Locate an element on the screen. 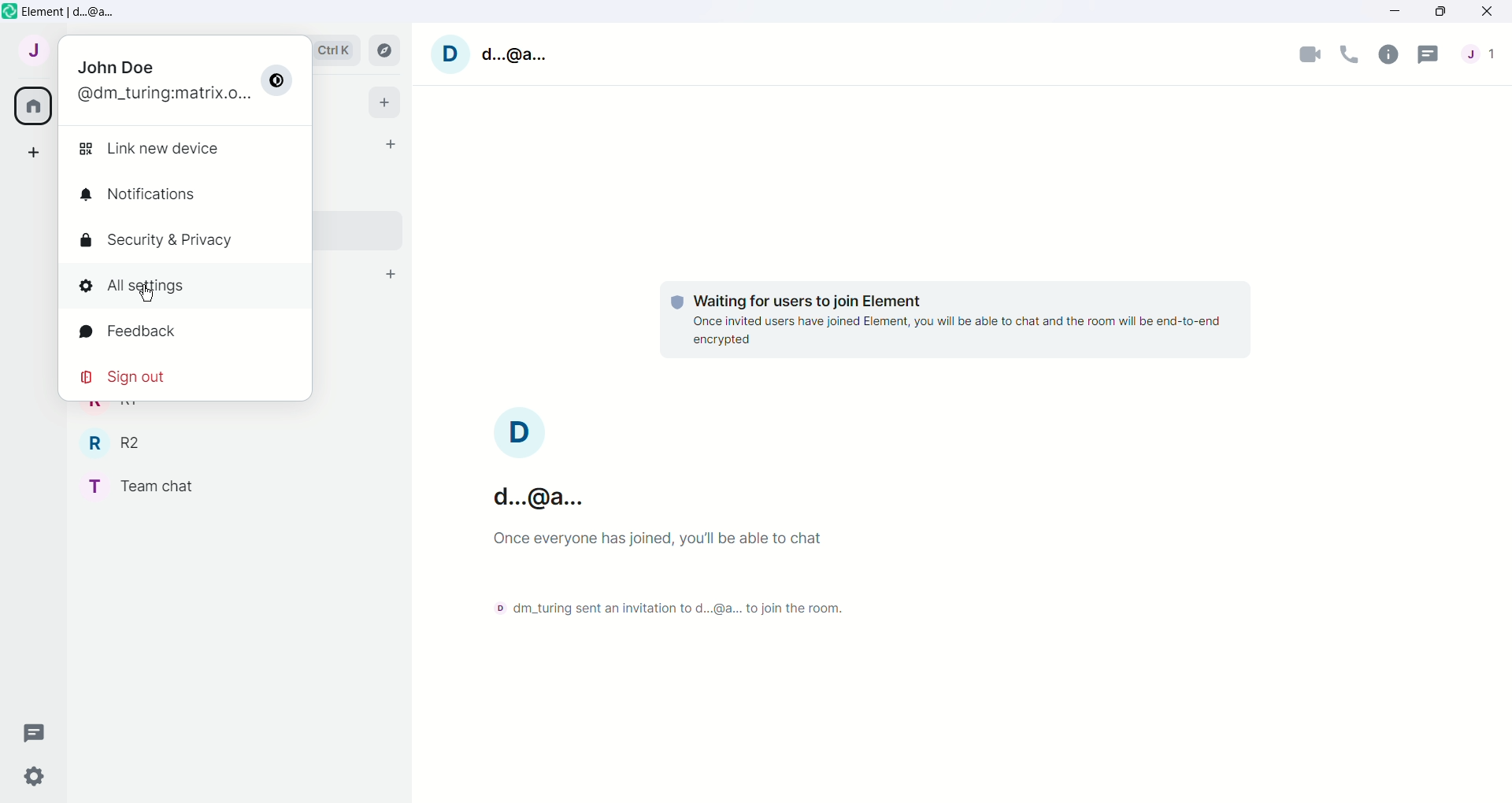 This screenshot has width=1512, height=803. Explore rooms is located at coordinates (384, 47).